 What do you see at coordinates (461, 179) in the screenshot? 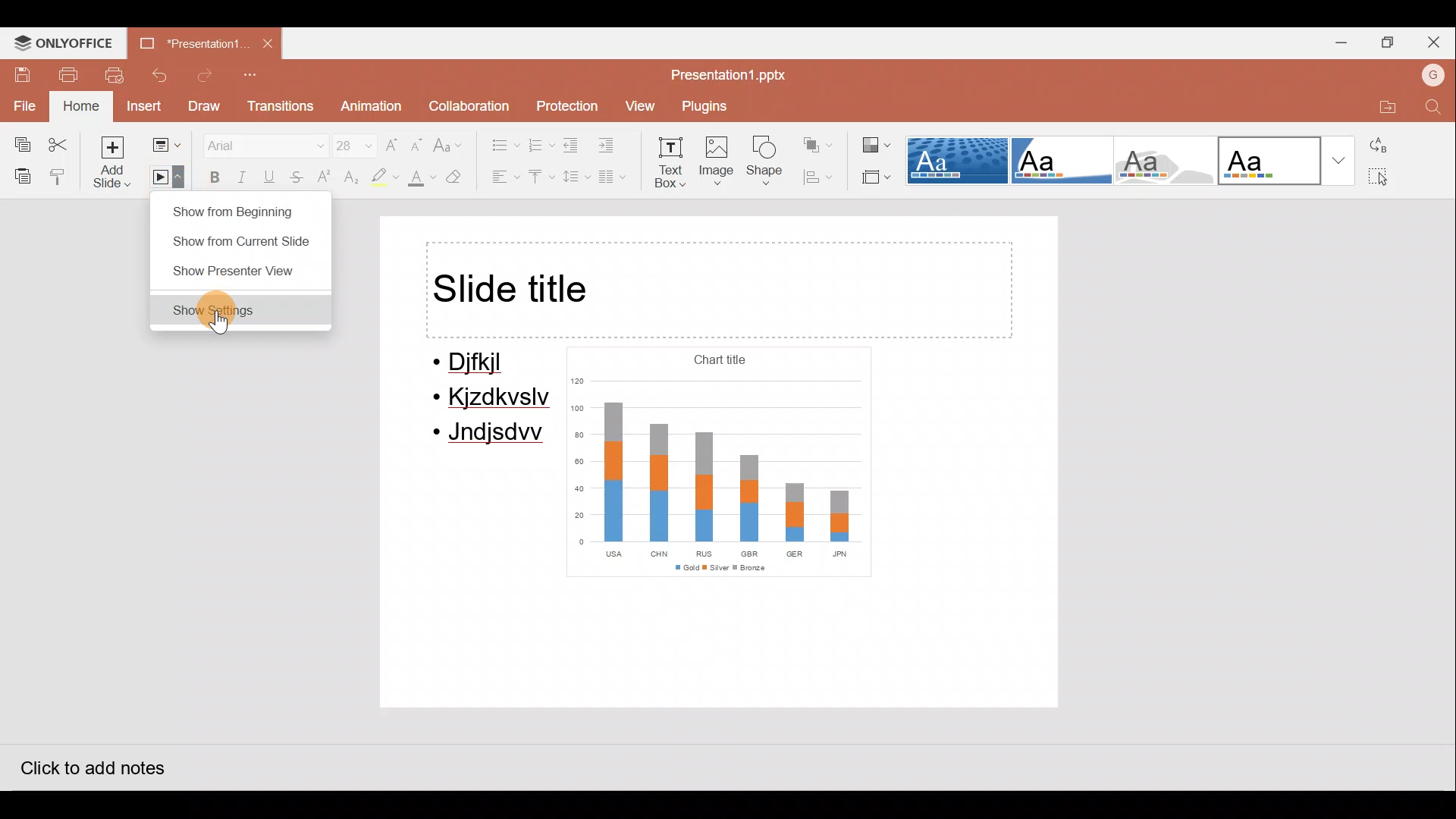
I see `Clear style` at bounding box center [461, 179].